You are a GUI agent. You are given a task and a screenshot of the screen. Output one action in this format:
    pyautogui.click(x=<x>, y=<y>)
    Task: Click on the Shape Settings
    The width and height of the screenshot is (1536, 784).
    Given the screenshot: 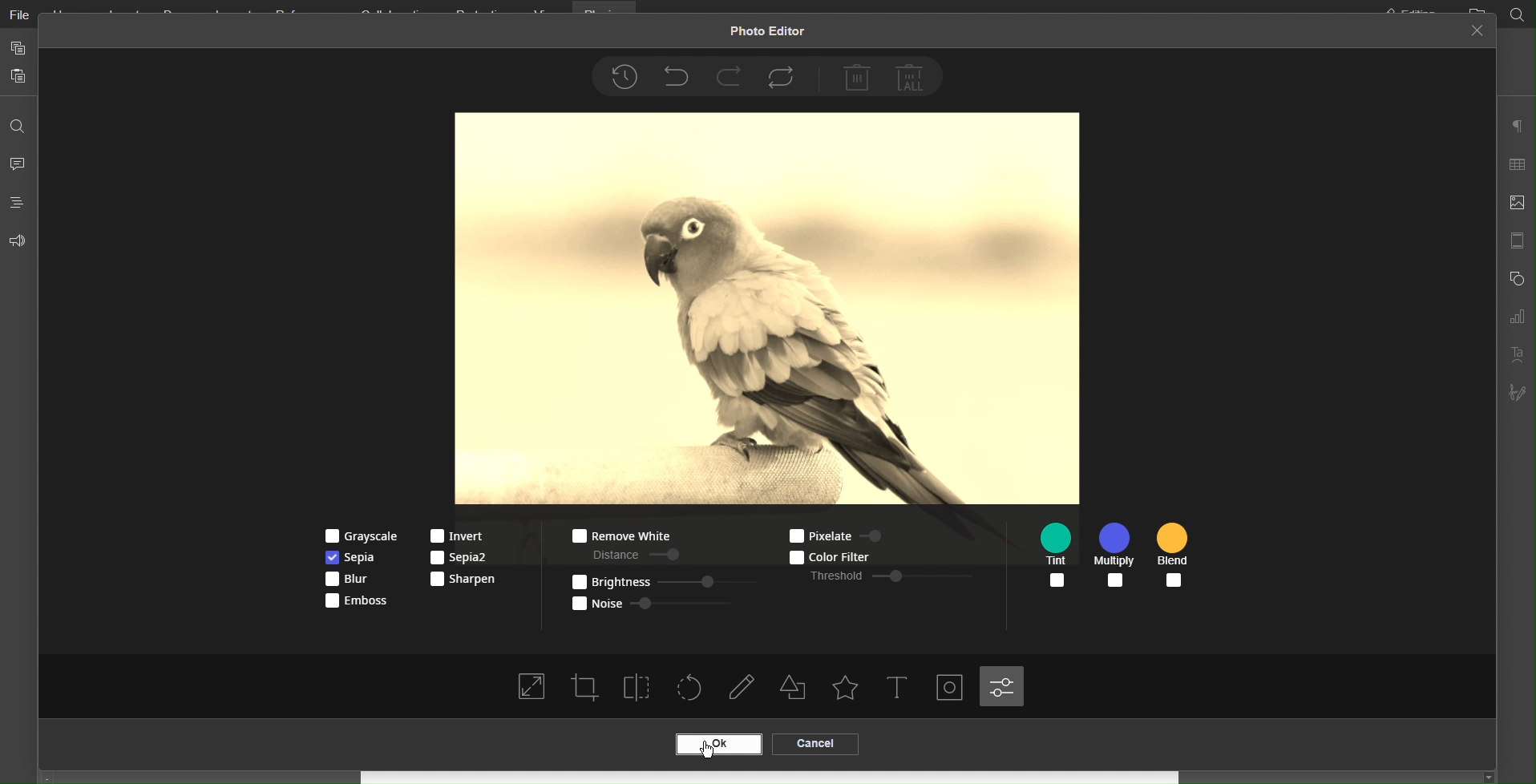 What is the action you would take?
    pyautogui.click(x=798, y=689)
    